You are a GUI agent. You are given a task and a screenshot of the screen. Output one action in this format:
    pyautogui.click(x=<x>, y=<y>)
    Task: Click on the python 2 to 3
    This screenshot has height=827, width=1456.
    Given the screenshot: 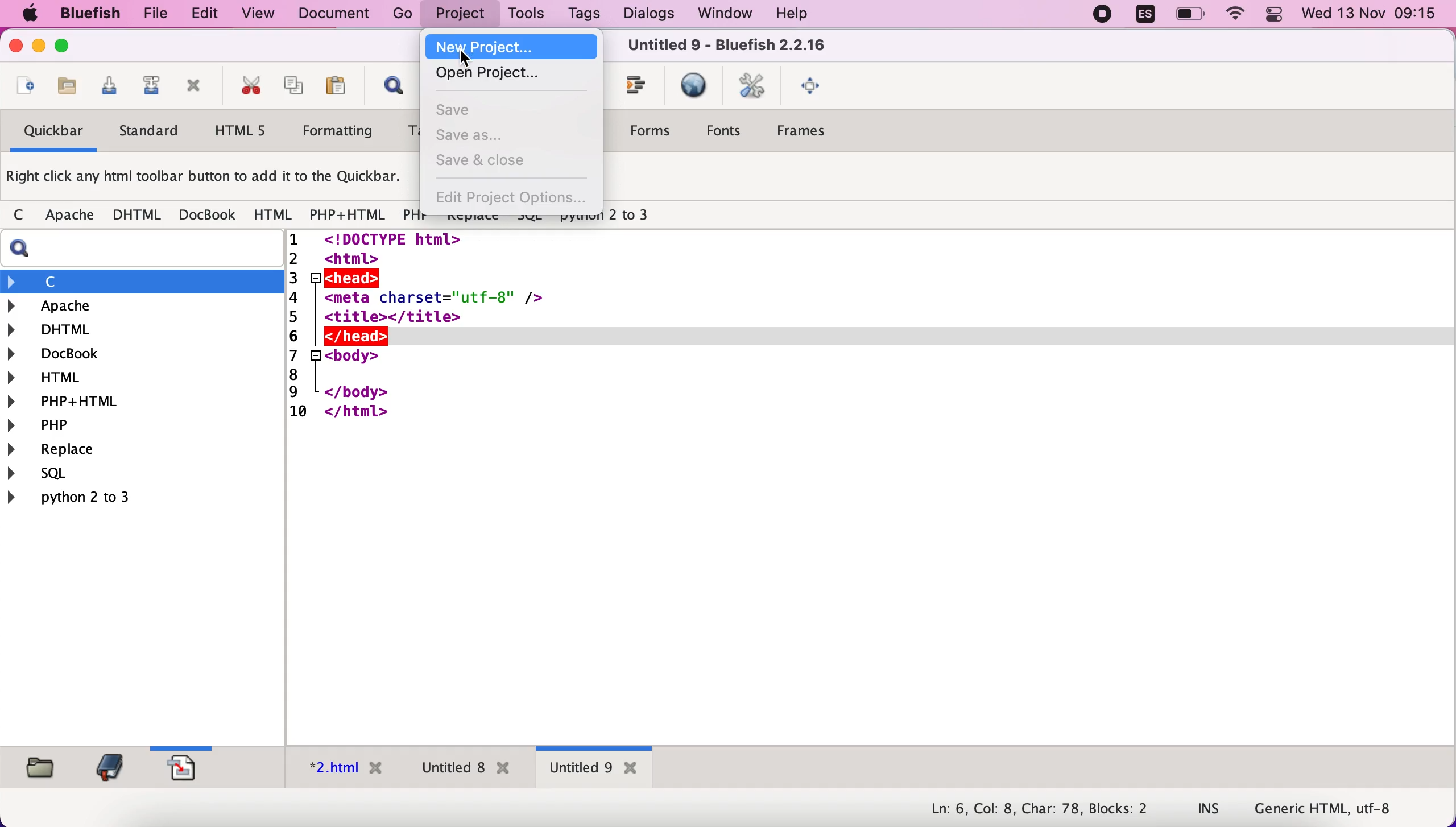 What is the action you would take?
    pyautogui.click(x=88, y=497)
    